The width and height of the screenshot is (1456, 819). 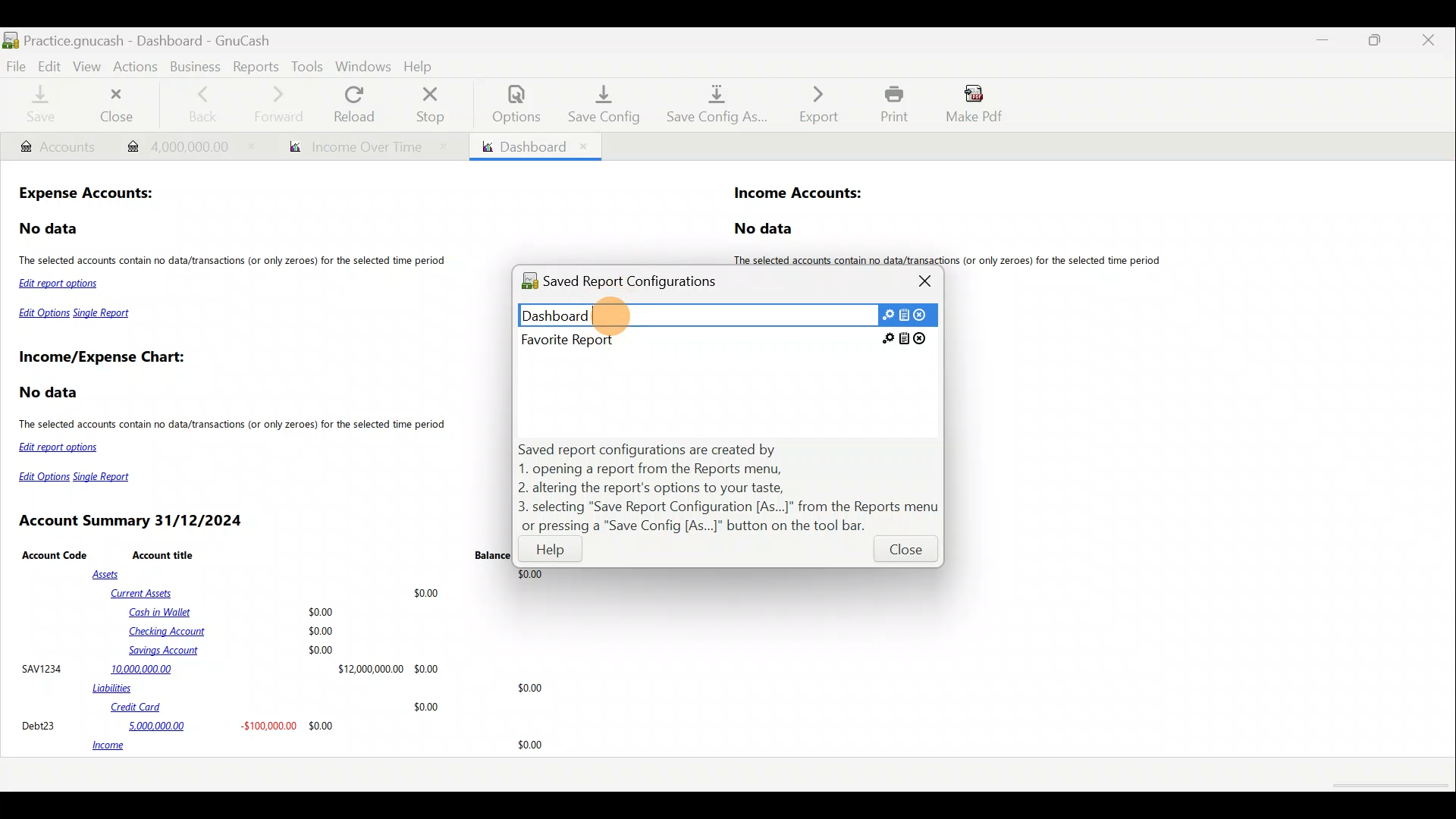 What do you see at coordinates (317, 746) in the screenshot?
I see `income 30.00` at bounding box center [317, 746].